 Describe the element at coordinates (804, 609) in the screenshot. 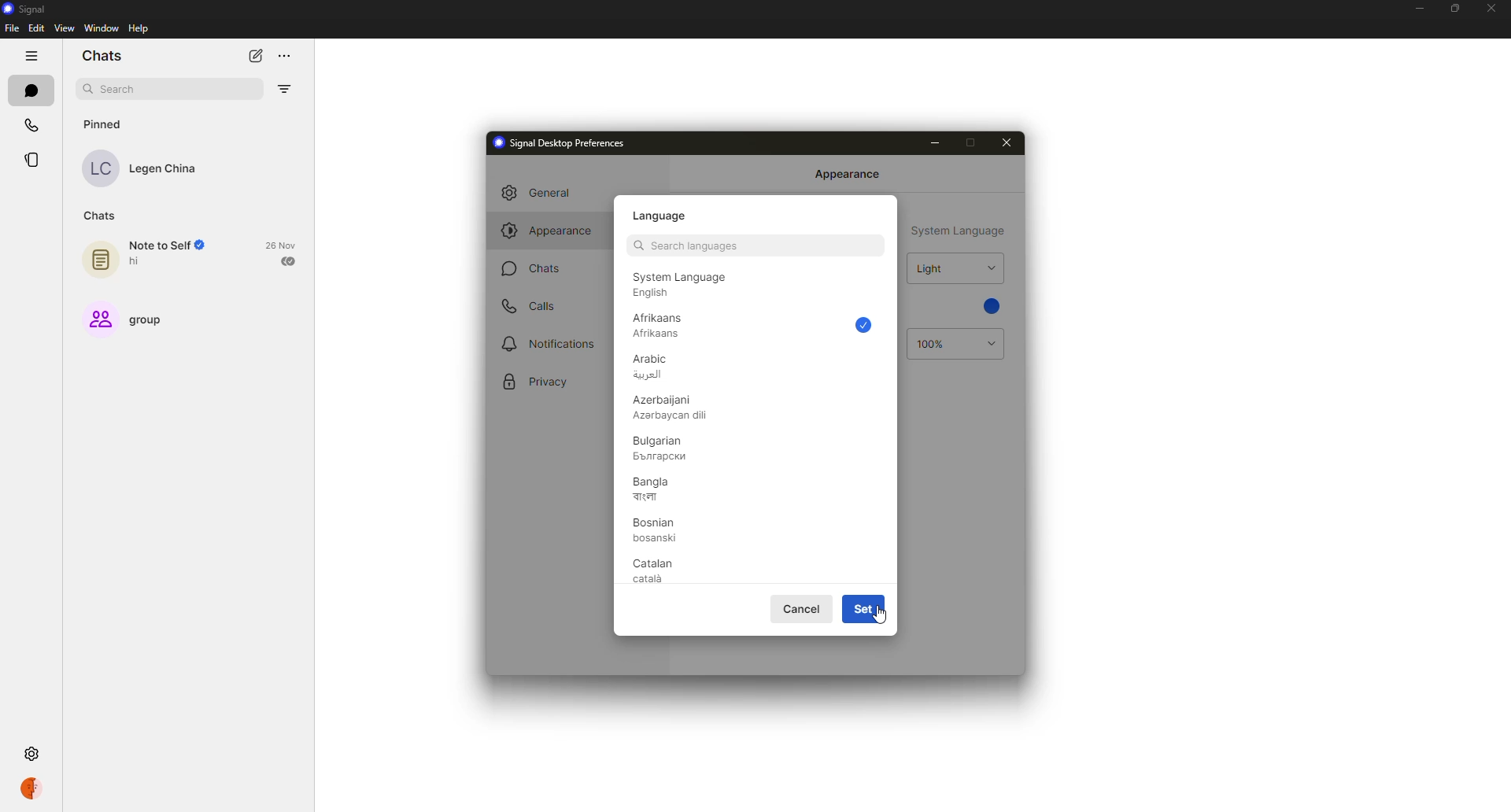

I see `cancel` at that location.